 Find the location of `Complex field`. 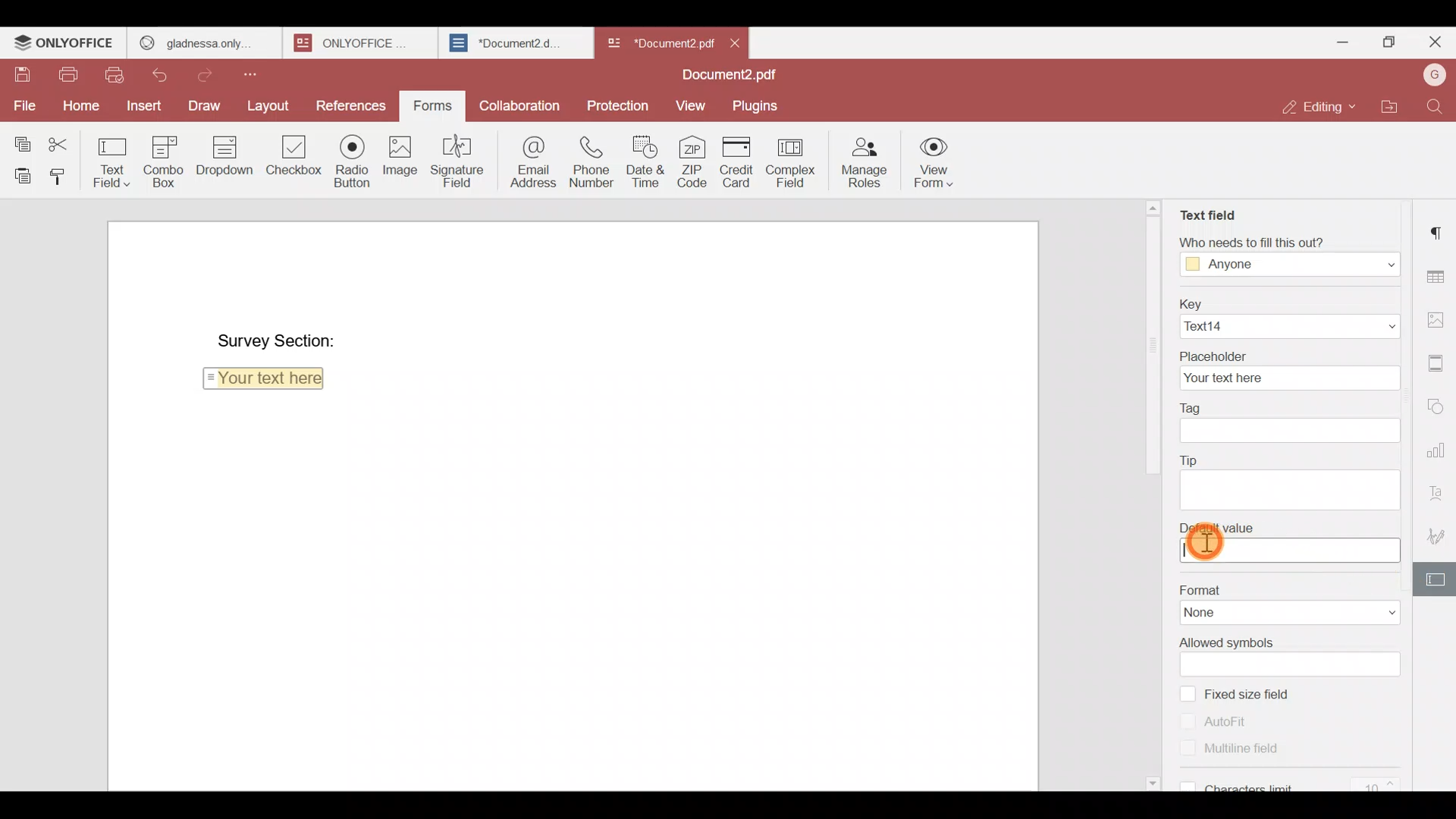

Complex field is located at coordinates (796, 160).